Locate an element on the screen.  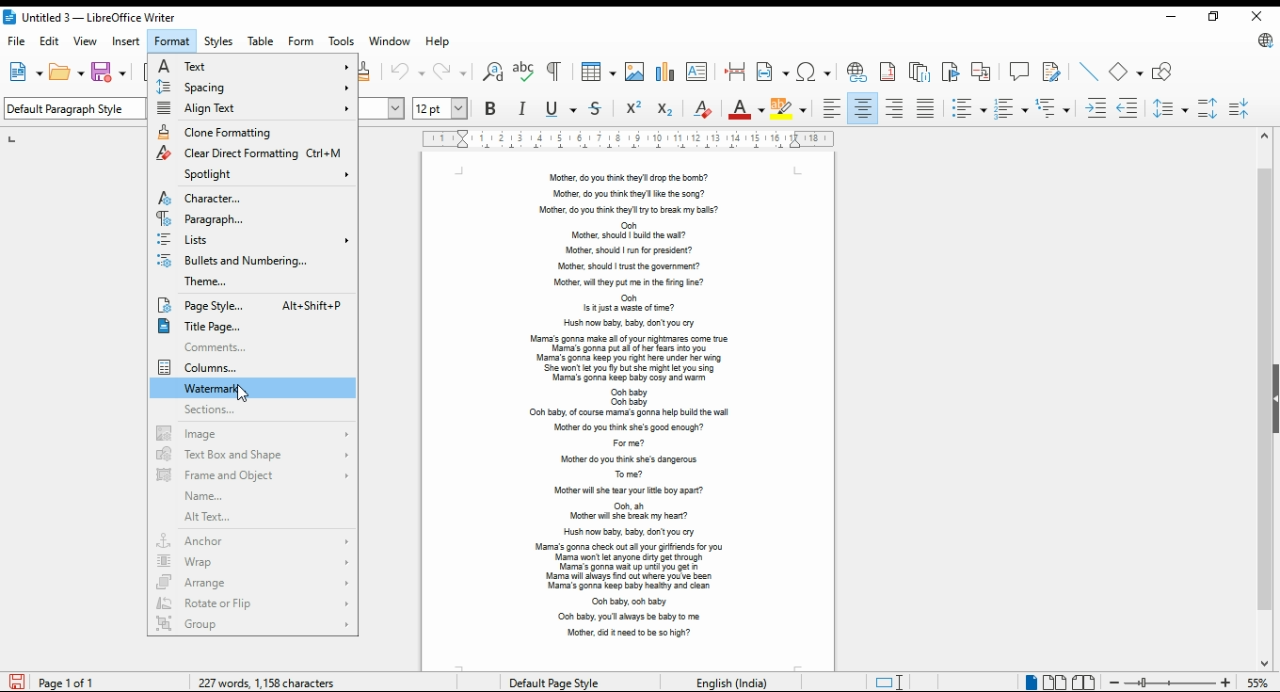
insert comment is located at coordinates (1020, 71).